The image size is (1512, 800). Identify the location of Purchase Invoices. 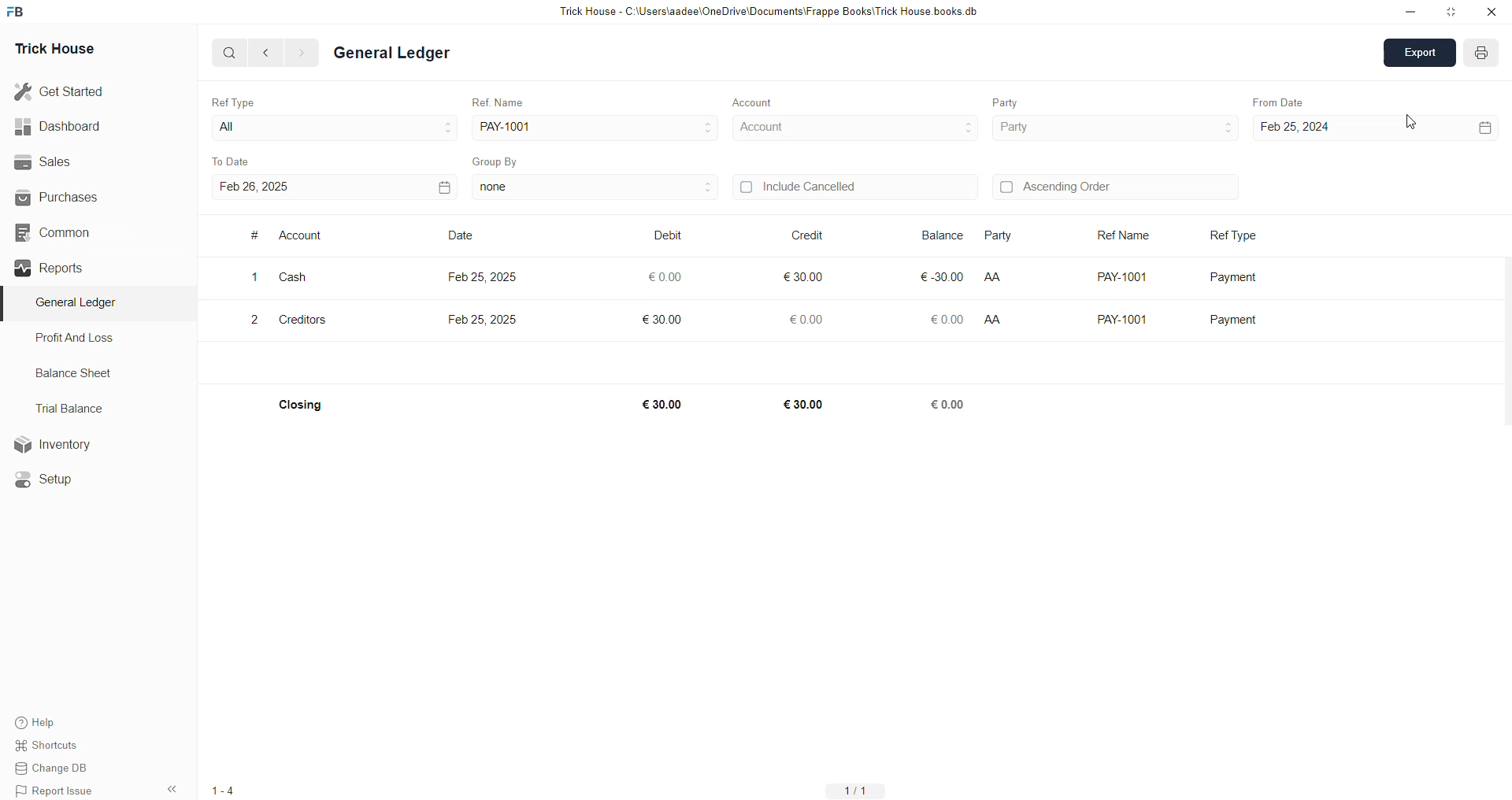
(85, 231).